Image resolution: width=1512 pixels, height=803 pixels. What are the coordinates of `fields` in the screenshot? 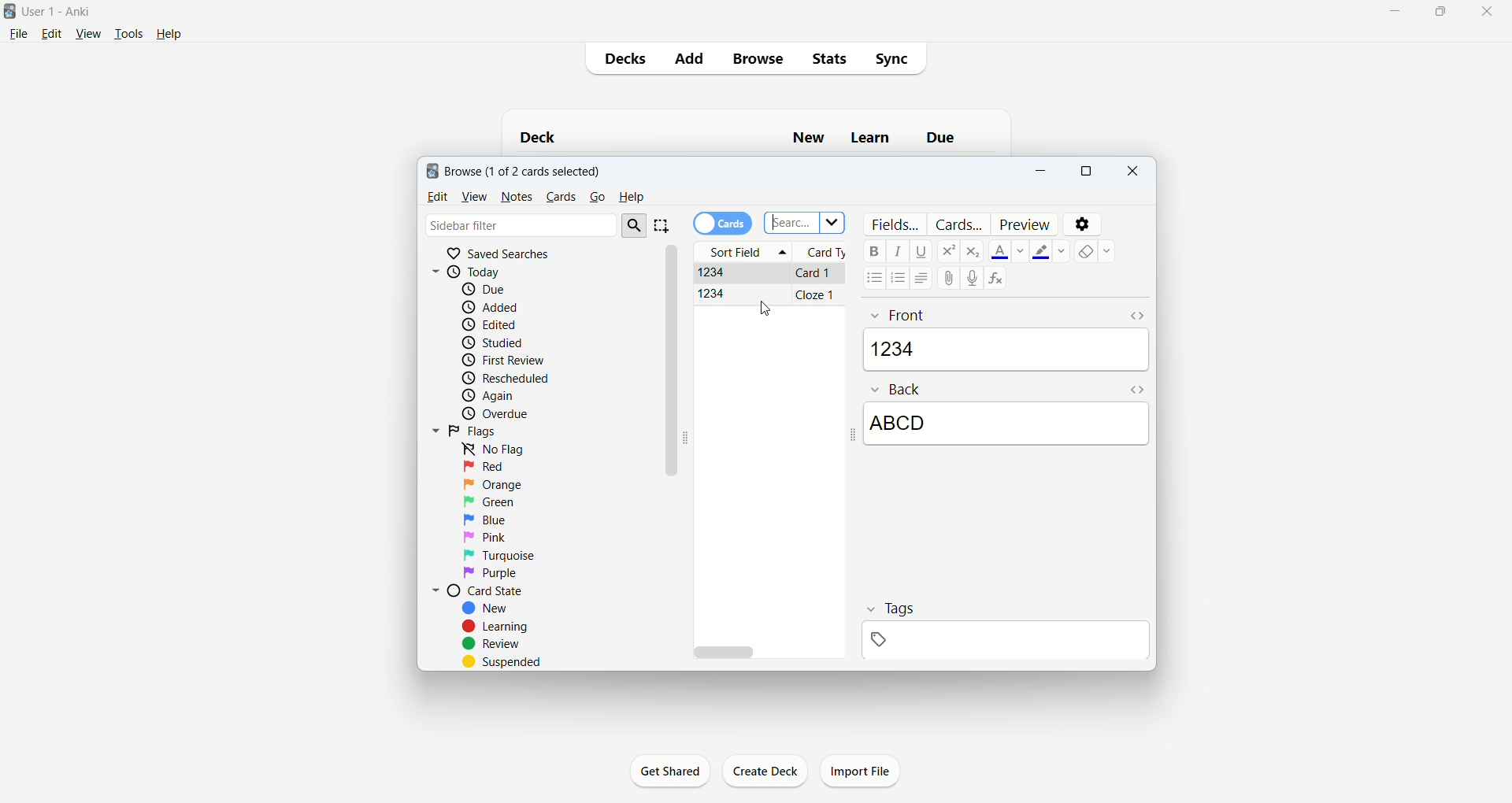 It's located at (895, 224).